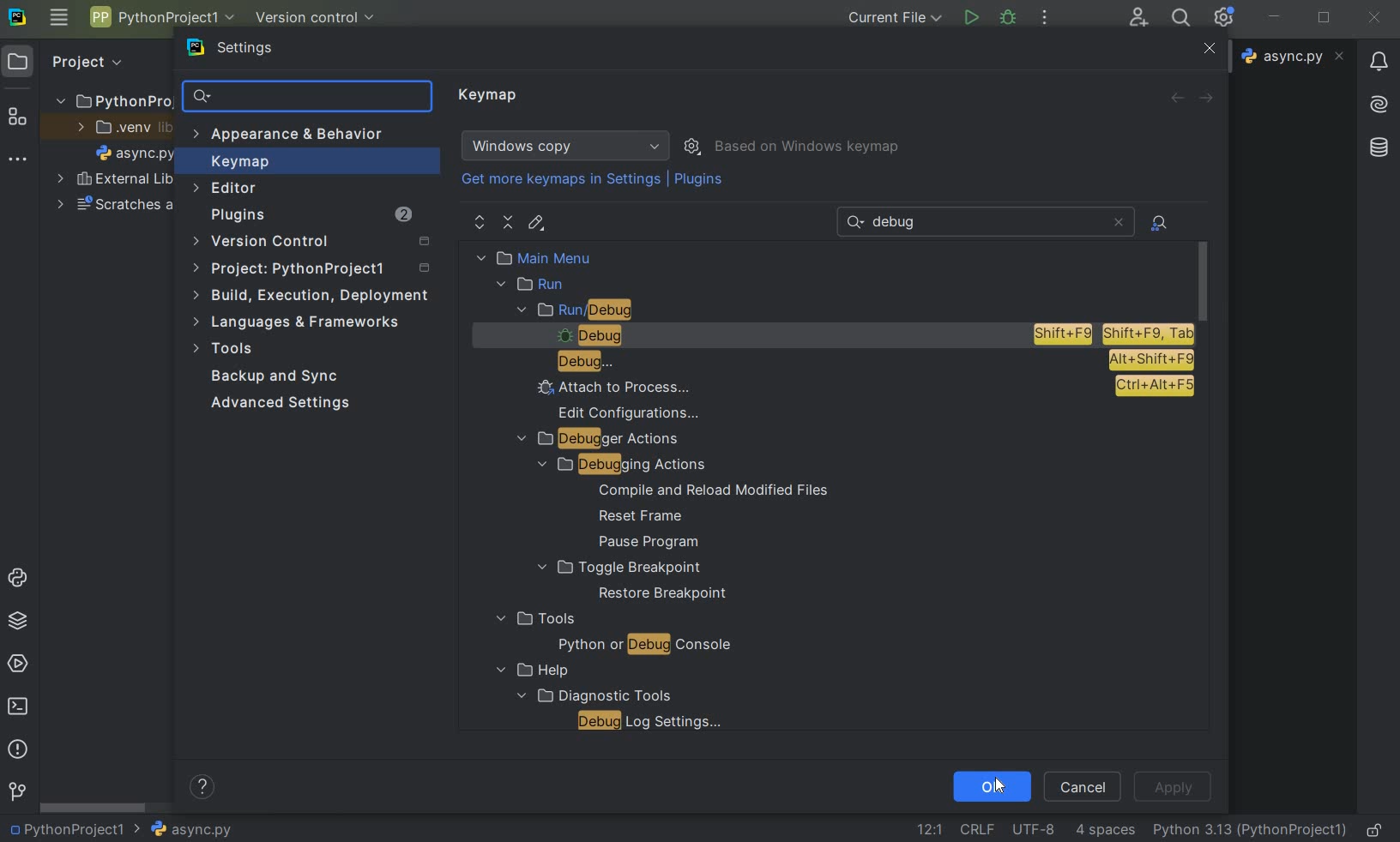 This screenshot has width=1400, height=842. What do you see at coordinates (929, 829) in the screenshot?
I see `go to line` at bounding box center [929, 829].